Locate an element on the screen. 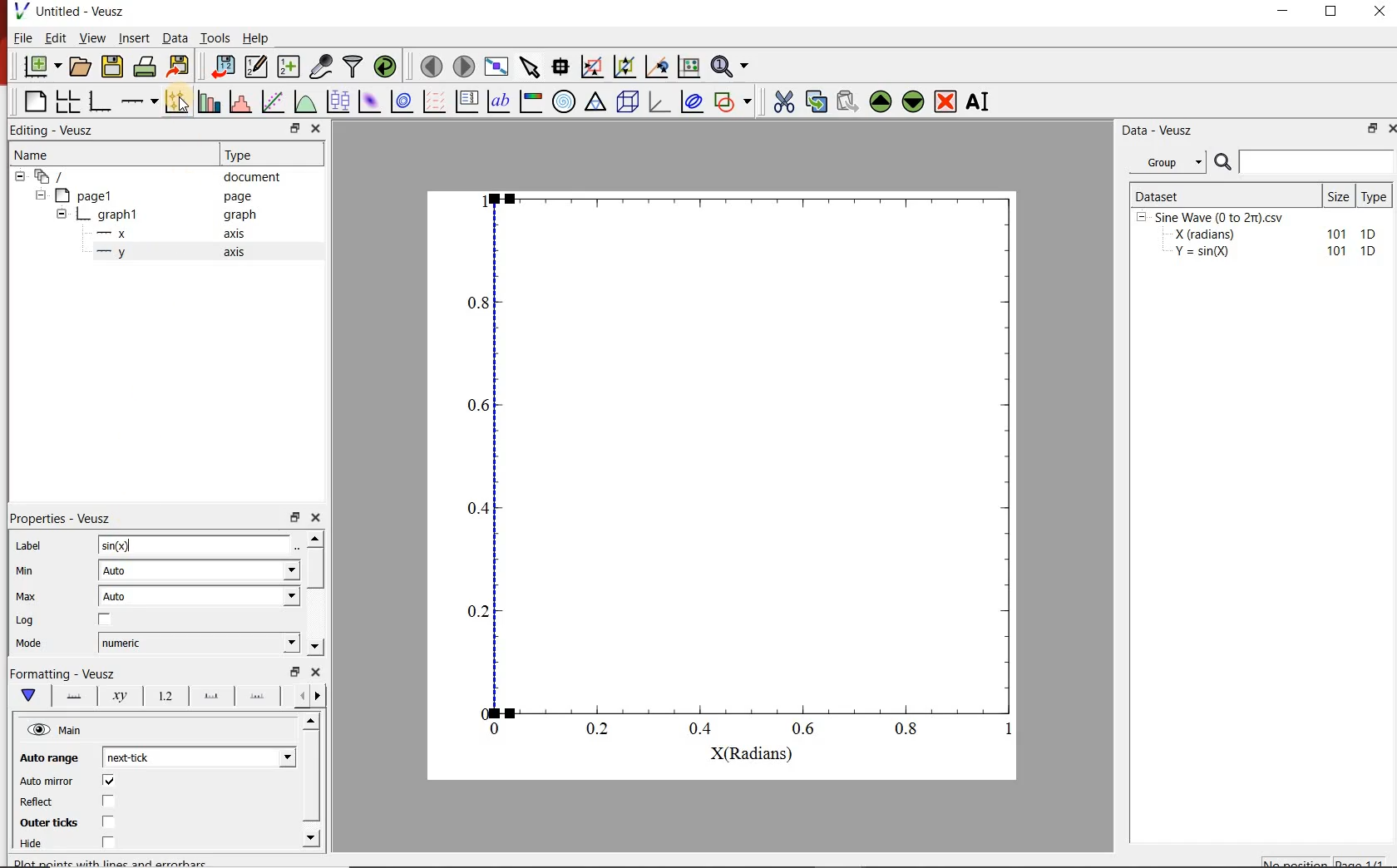  Data is located at coordinates (174, 37).